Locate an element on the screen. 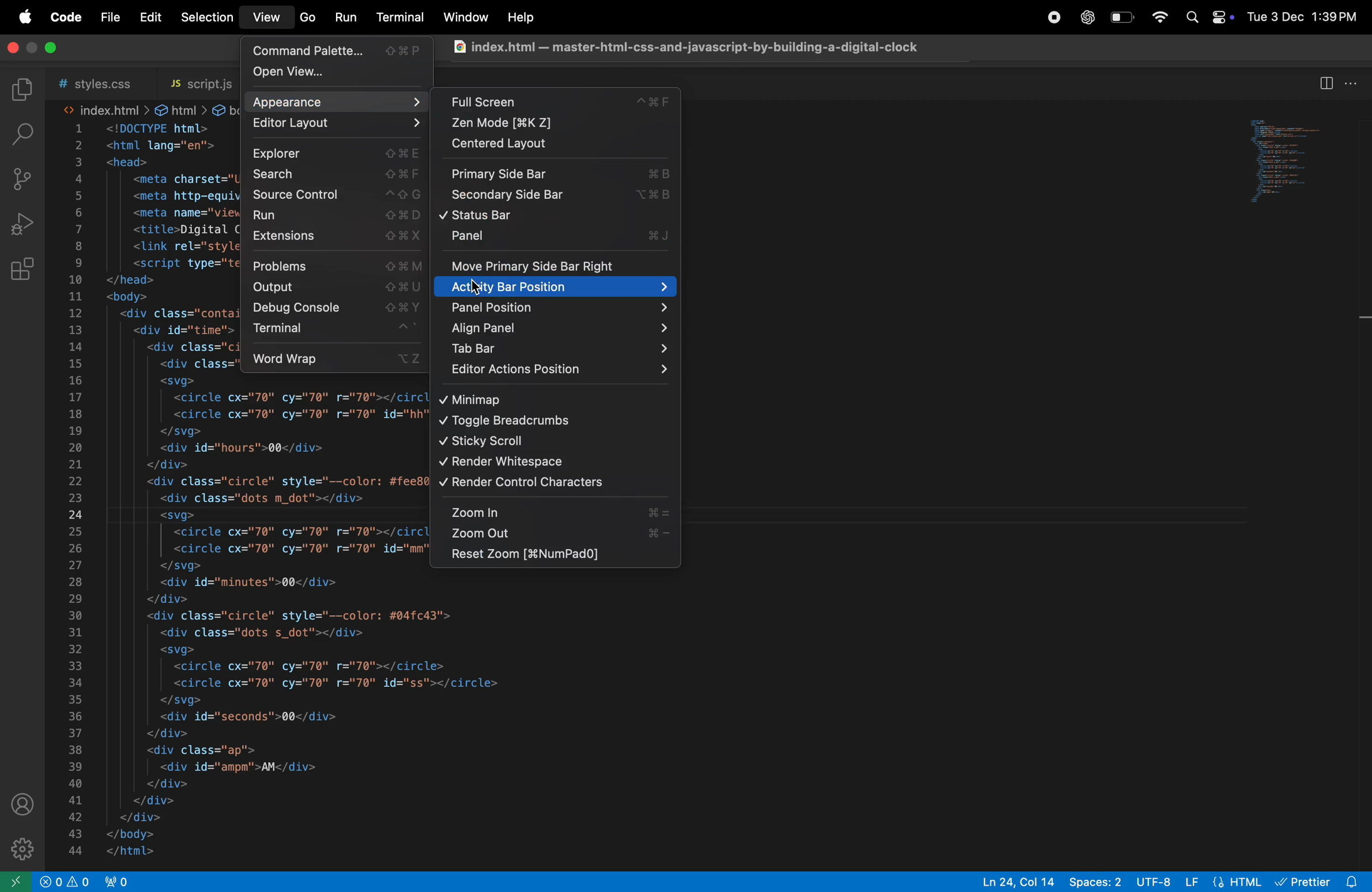 The height and width of the screenshot is (892, 1372). panel position is located at coordinates (556, 308).